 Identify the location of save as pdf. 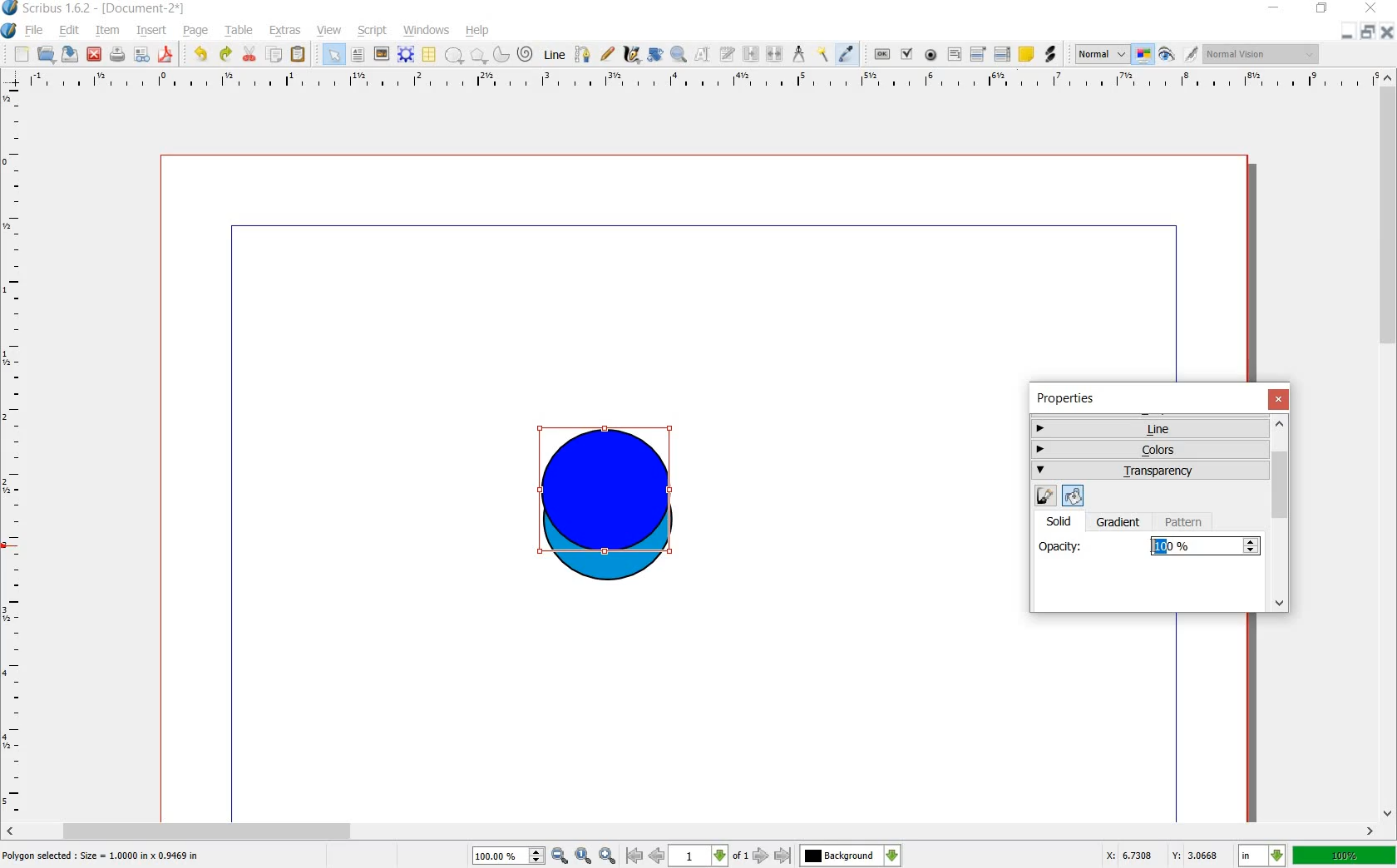
(165, 55).